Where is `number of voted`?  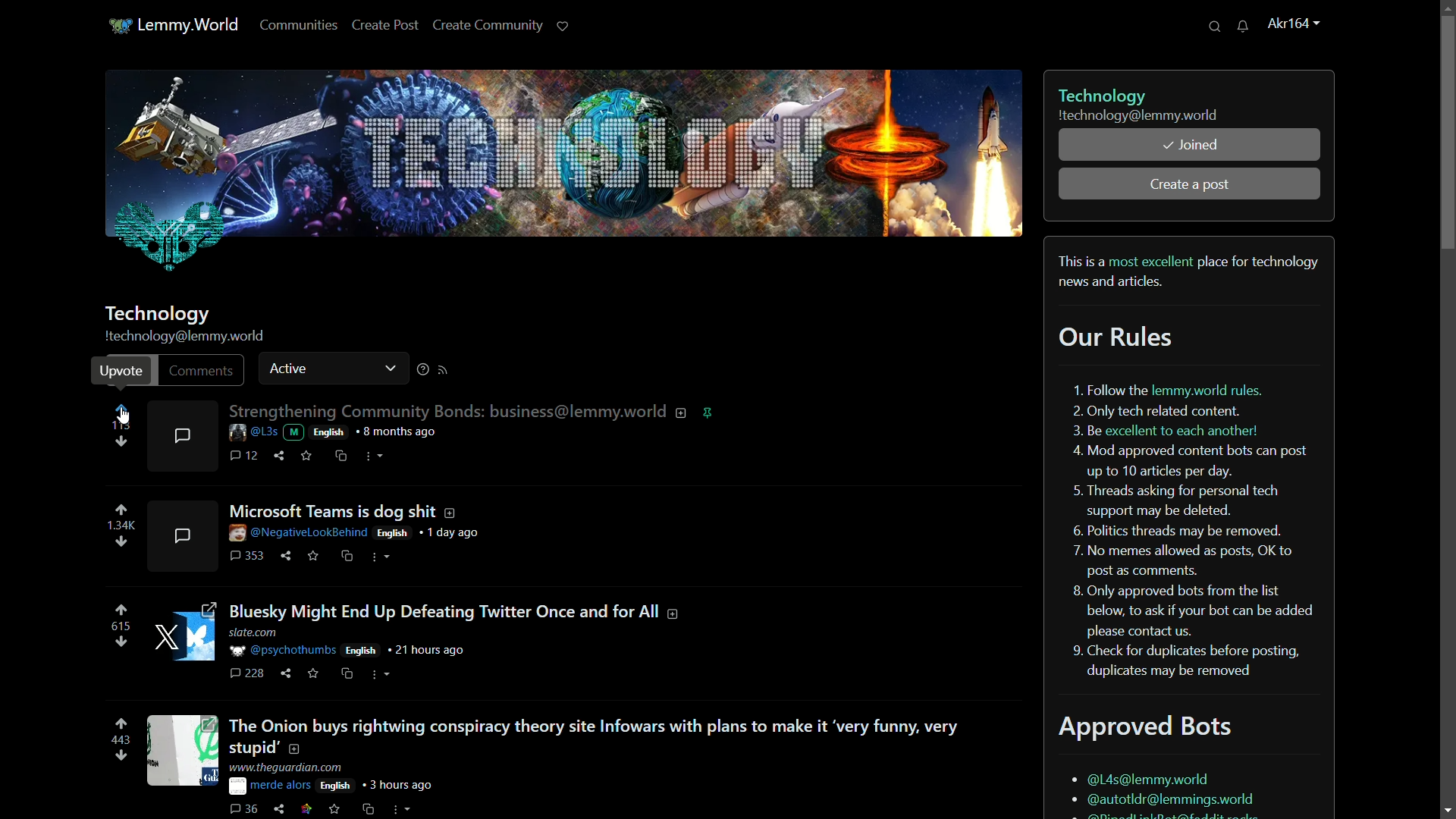 number of voted is located at coordinates (121, 526).